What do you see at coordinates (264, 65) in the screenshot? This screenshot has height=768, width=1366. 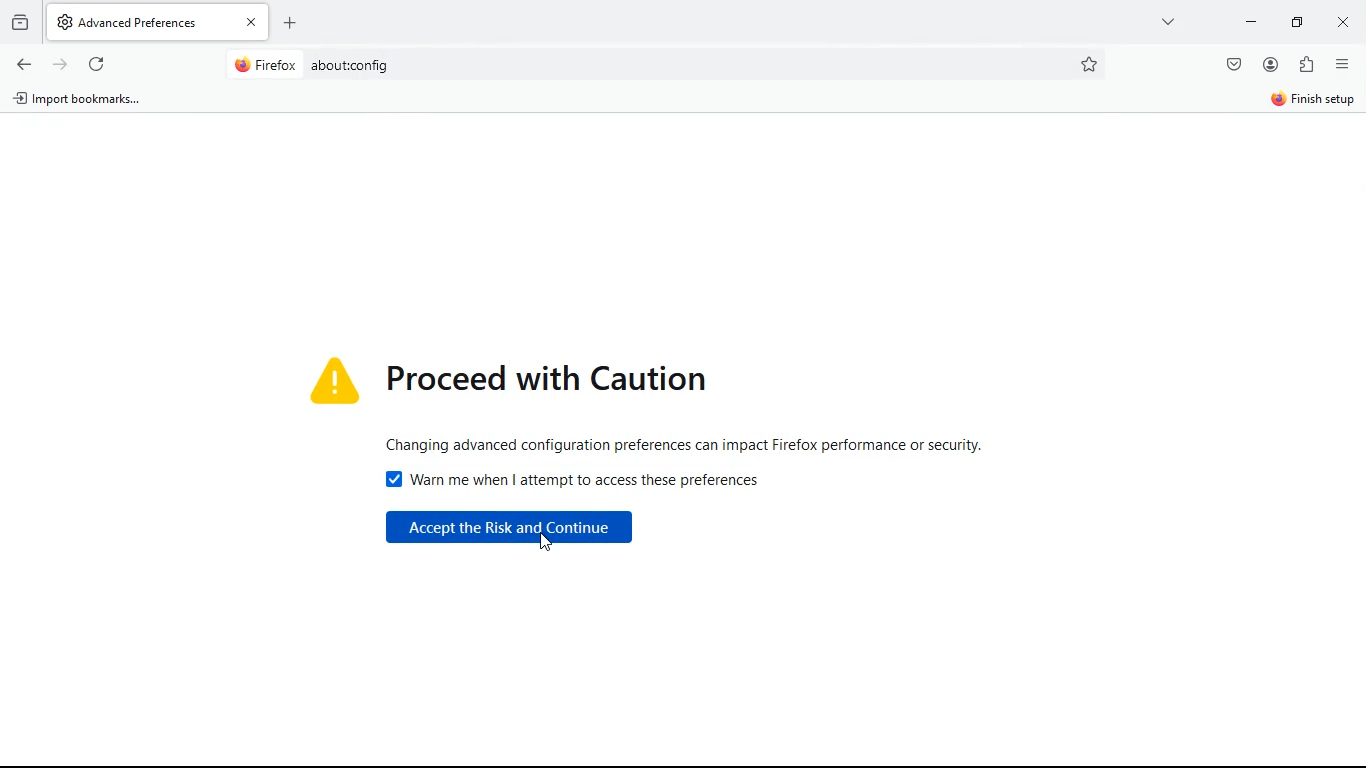 I see `@ Firefox` at bounding box center [264, 65].